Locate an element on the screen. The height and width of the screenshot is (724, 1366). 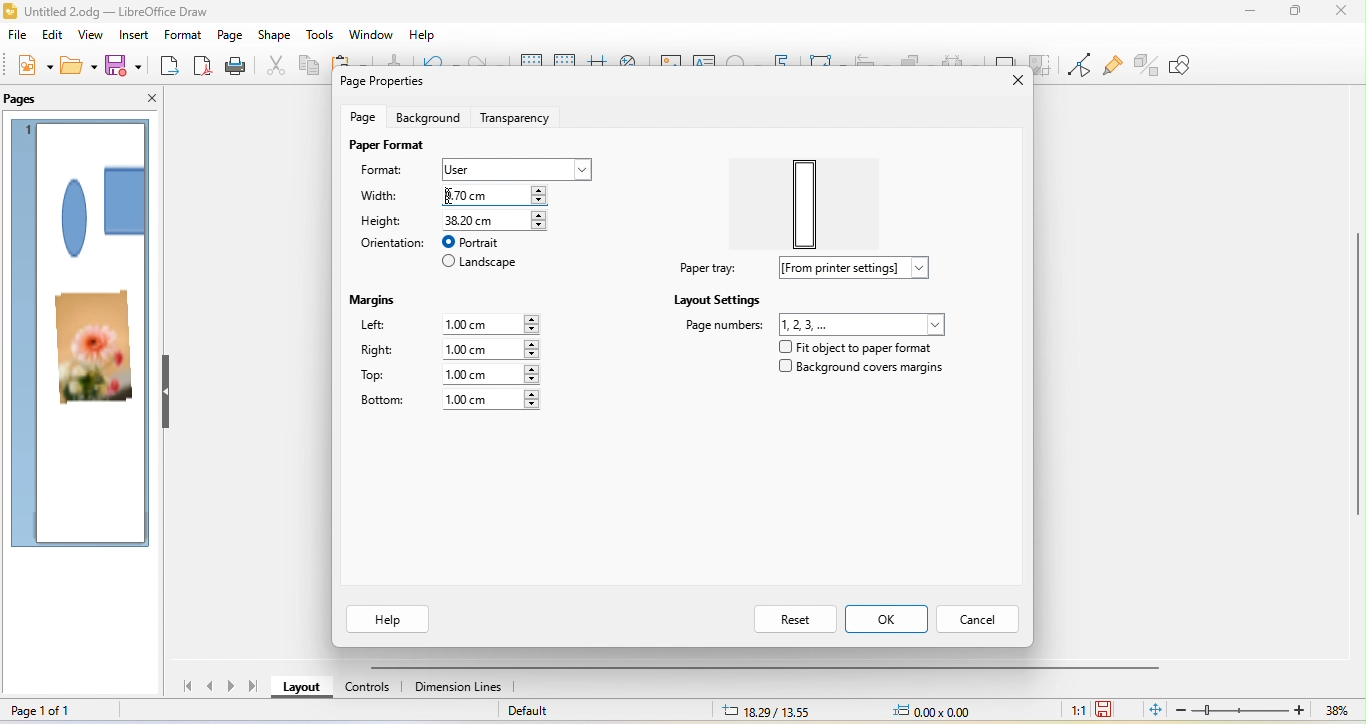
cancel is located at coordinates (982, 618).